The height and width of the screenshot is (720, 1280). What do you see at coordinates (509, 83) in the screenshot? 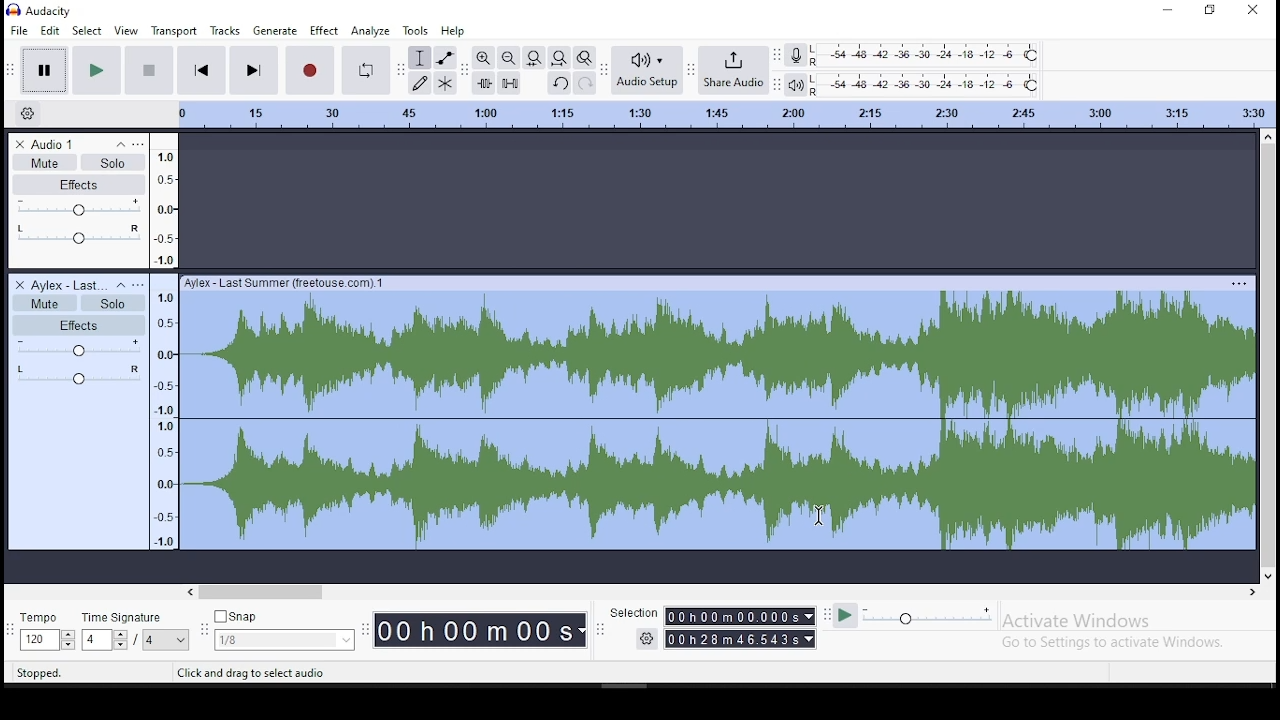
I see `silence selected audio` at bounding box center [509, 83].